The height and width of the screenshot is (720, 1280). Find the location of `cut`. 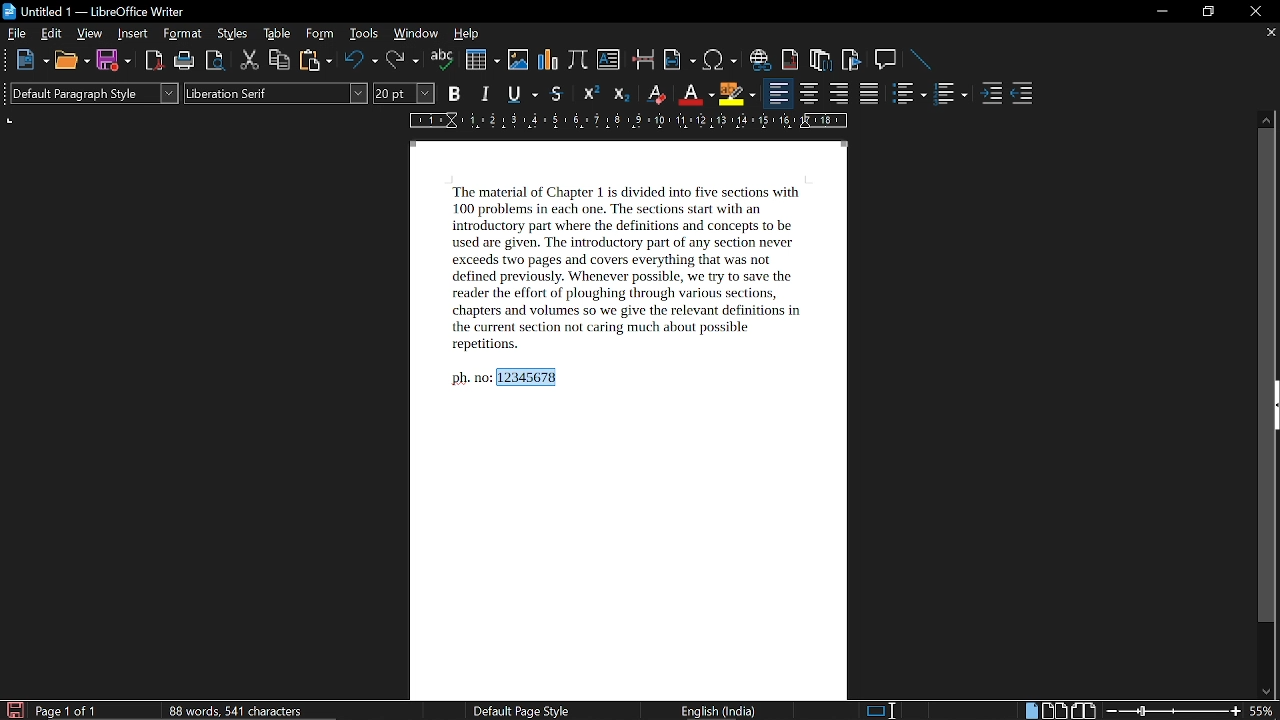

cut is located at coordinates (250, 61).